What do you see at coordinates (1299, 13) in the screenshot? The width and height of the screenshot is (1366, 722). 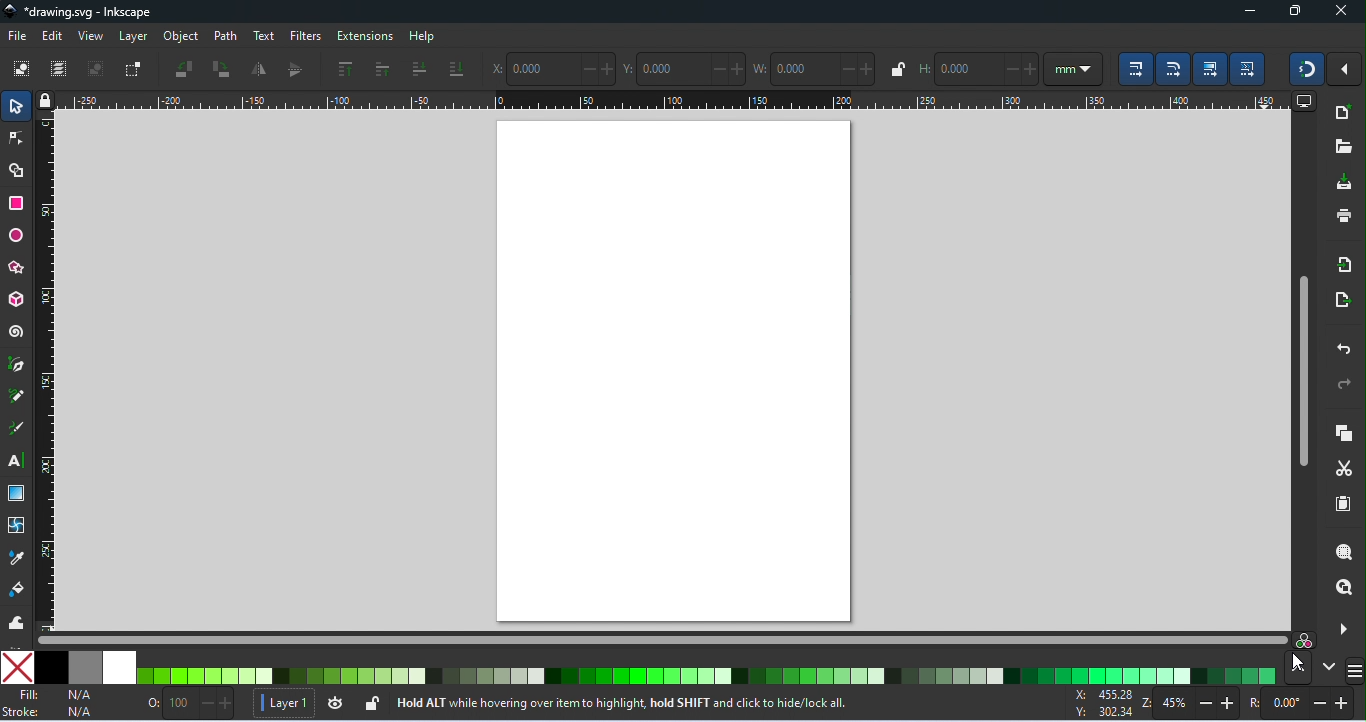 I see `maximize` at bounding box center [1299, 13].